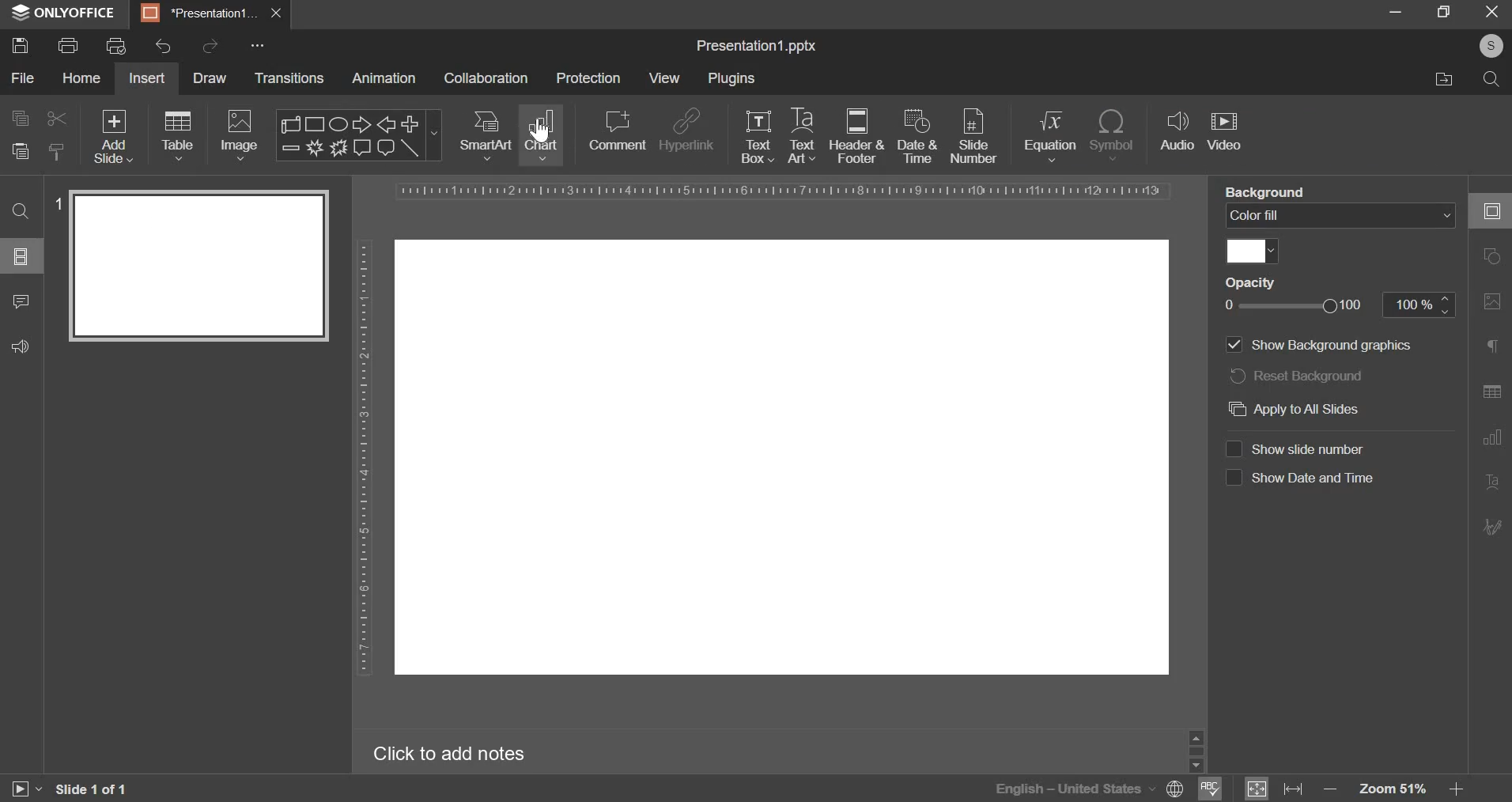 The image size is (1512, 802). Describe the element at coordinates (27, 789) in the screenshot. I see `start slide show` at that location.